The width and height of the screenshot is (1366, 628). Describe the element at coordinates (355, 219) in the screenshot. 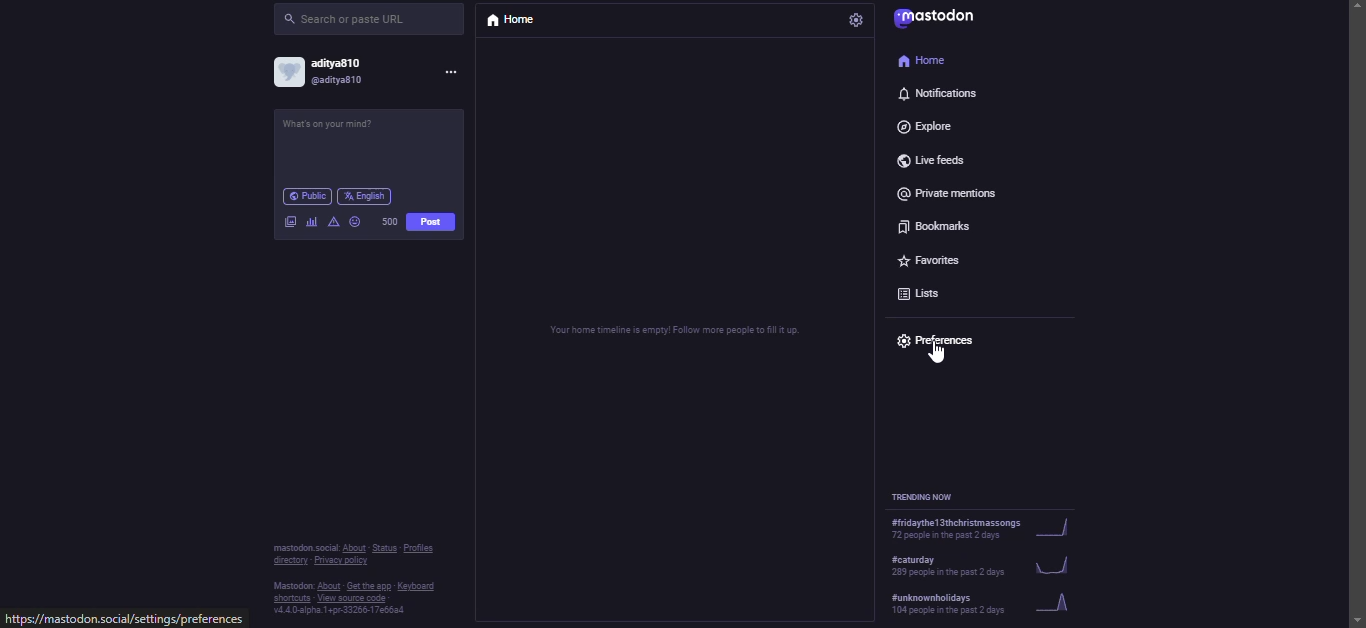

I see `emoji` at that location.